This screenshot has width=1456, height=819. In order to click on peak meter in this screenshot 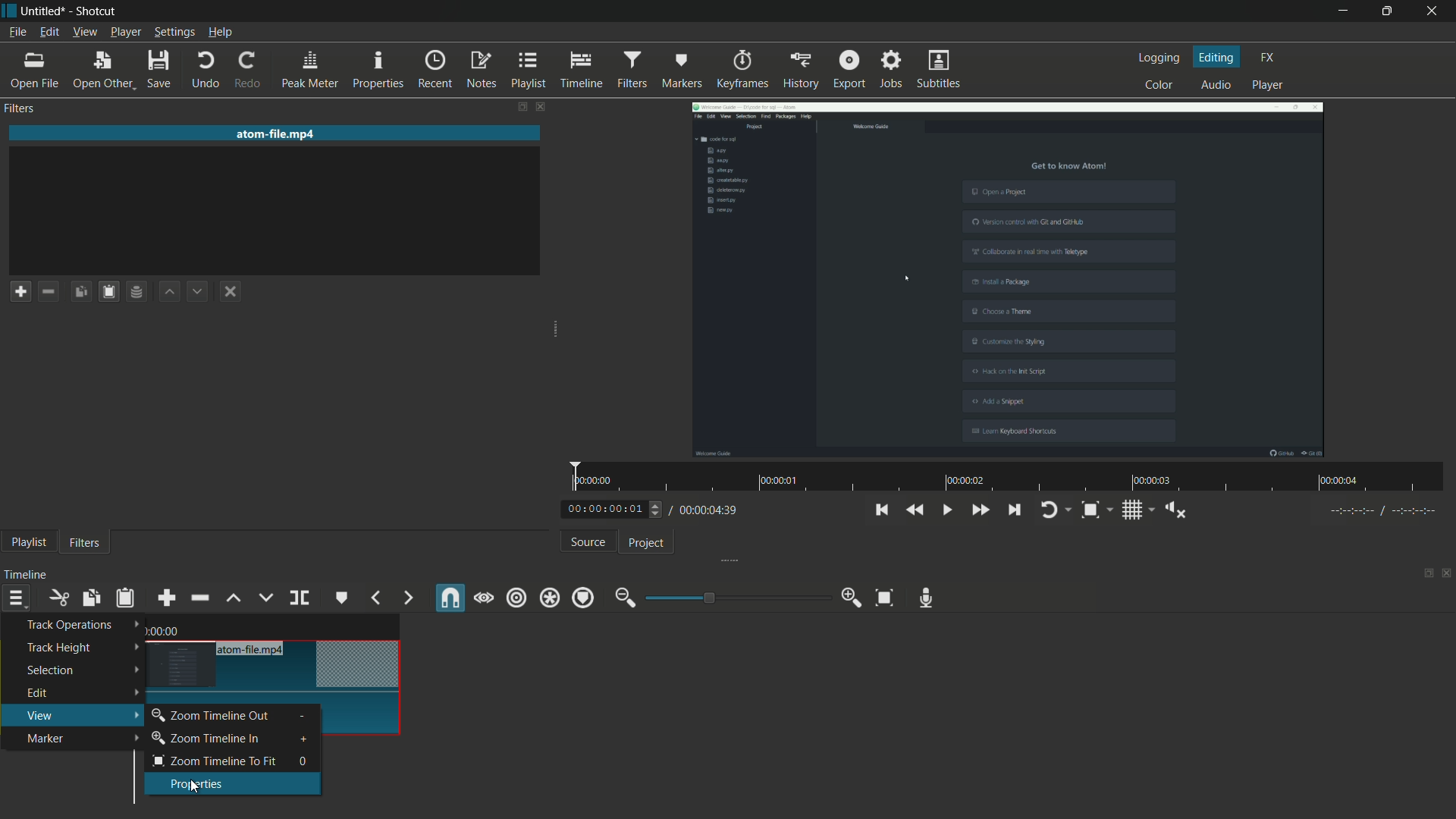, I will do `click(309, 69)`.